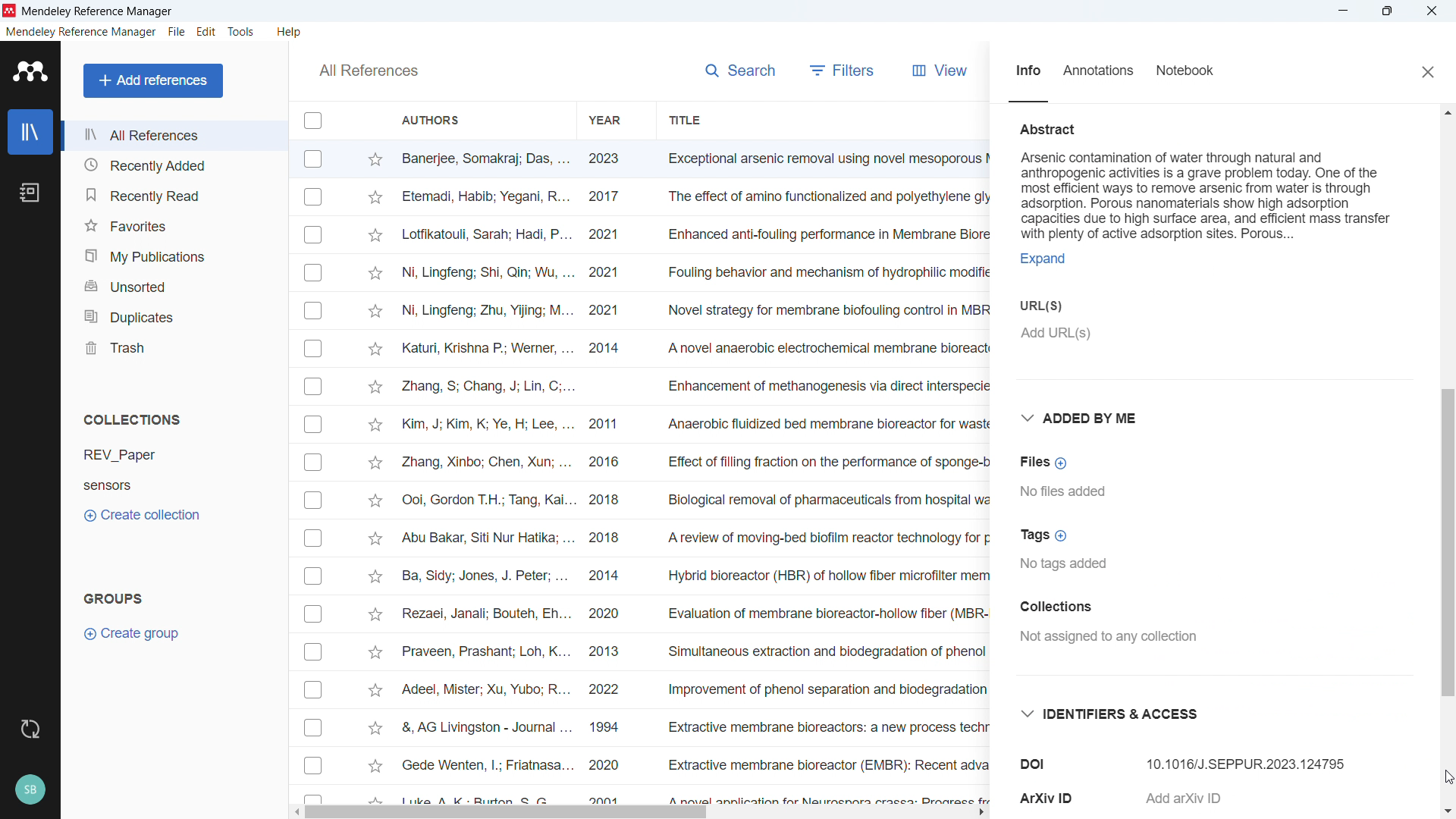 The image size is (1456, 819). Describe the element at coordinates (376, 388) in the screenshot. I see `click to starmark individual entries` at that location.